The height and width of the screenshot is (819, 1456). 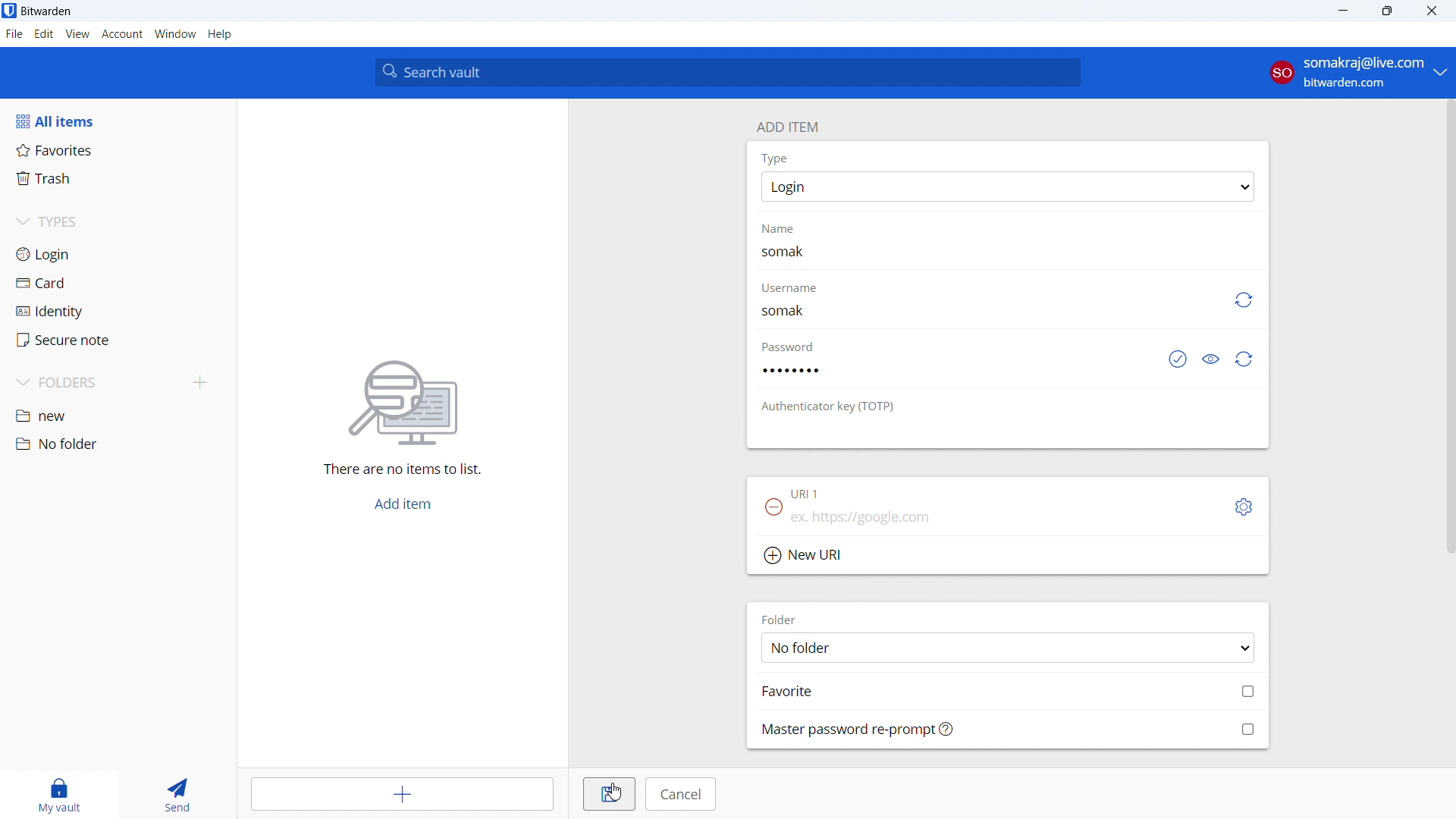 I want to click on close, so click(x=1432, y=11).